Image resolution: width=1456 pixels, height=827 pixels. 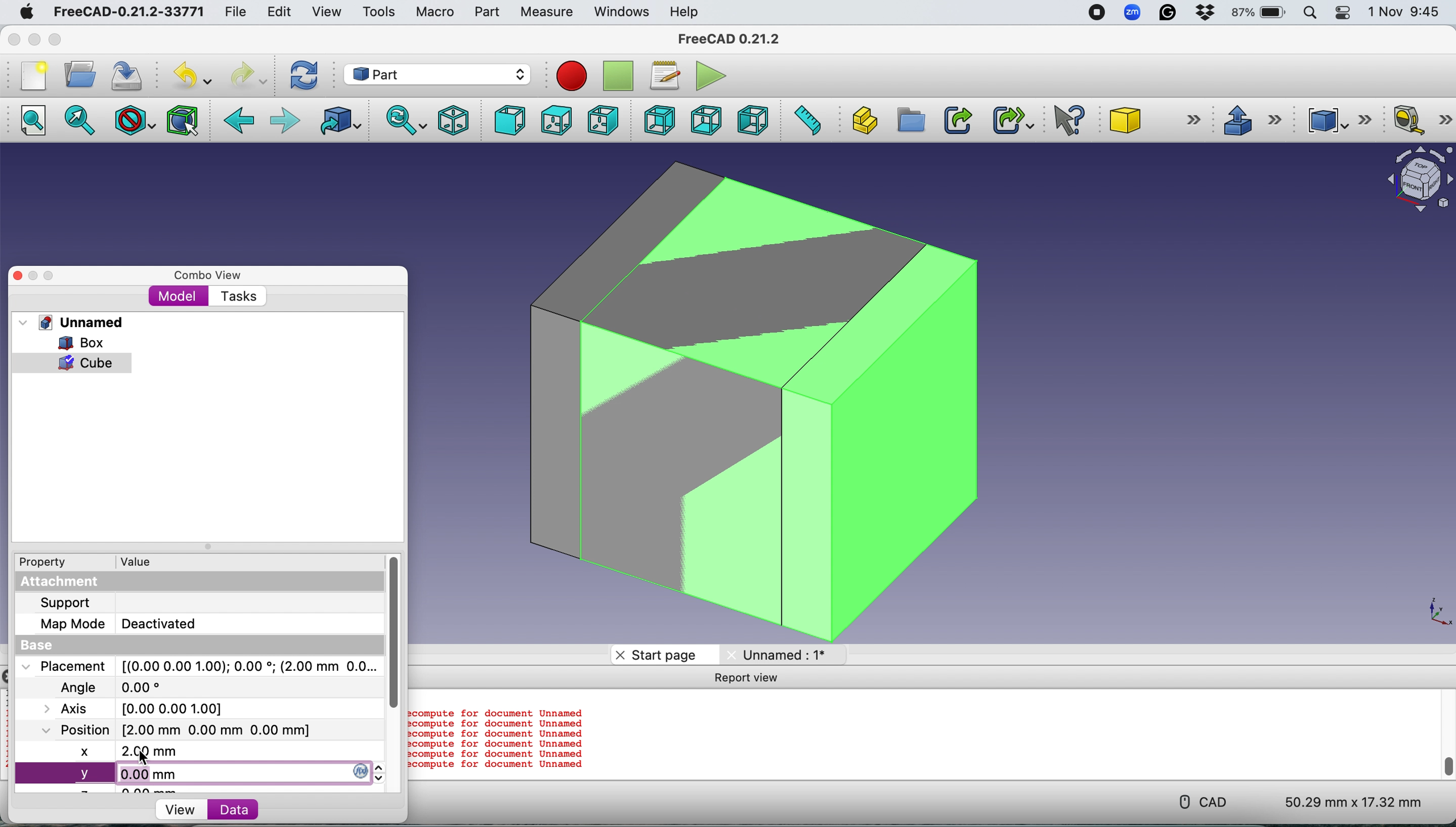 I want to click on View, so click(x=326, y=12).